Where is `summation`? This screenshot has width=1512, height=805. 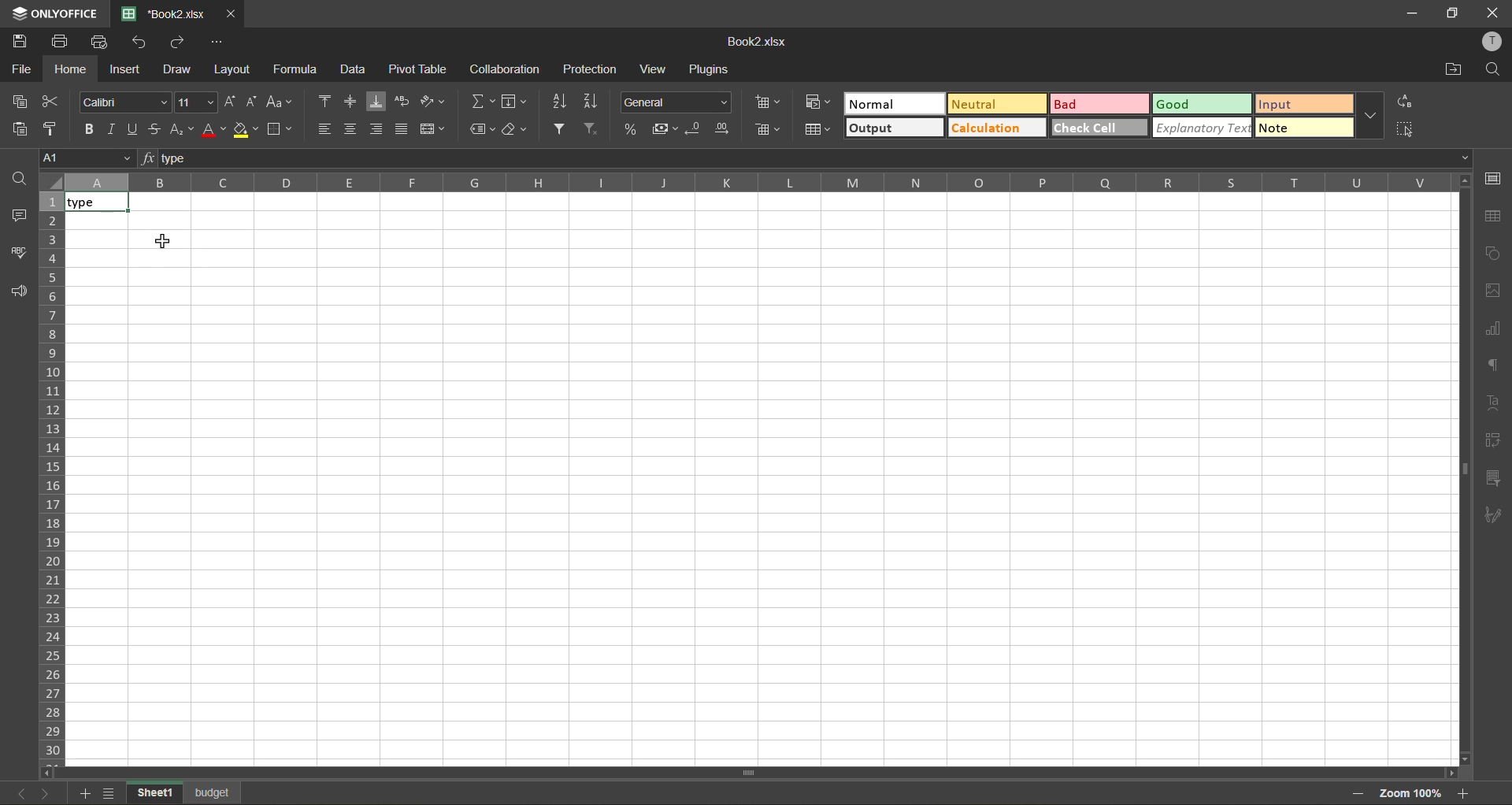
summation is located at coordinates (481, 98).